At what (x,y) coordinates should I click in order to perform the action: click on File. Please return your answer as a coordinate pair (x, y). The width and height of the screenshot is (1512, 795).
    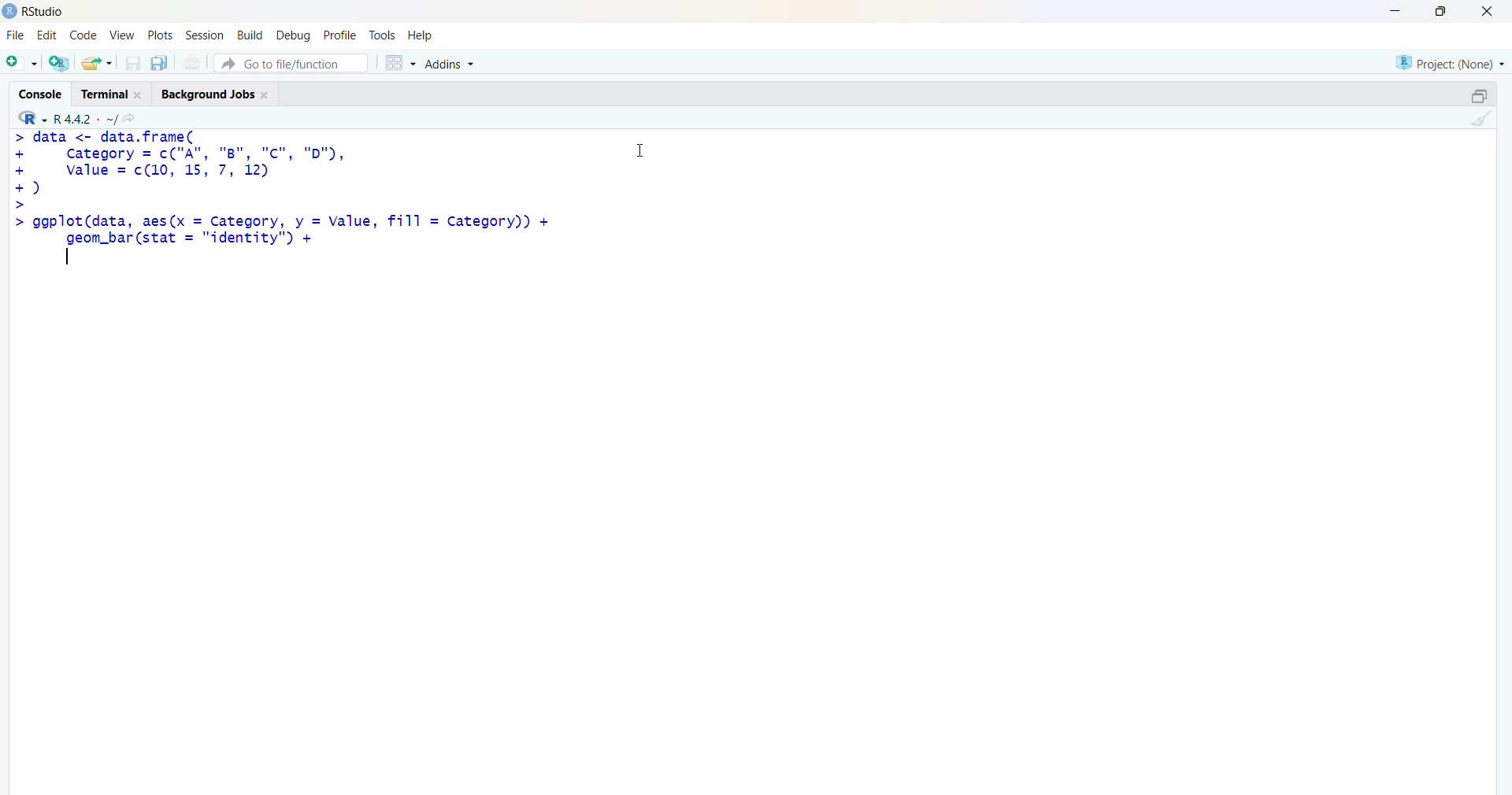
    Looking at the image, I should click on (16, 35).